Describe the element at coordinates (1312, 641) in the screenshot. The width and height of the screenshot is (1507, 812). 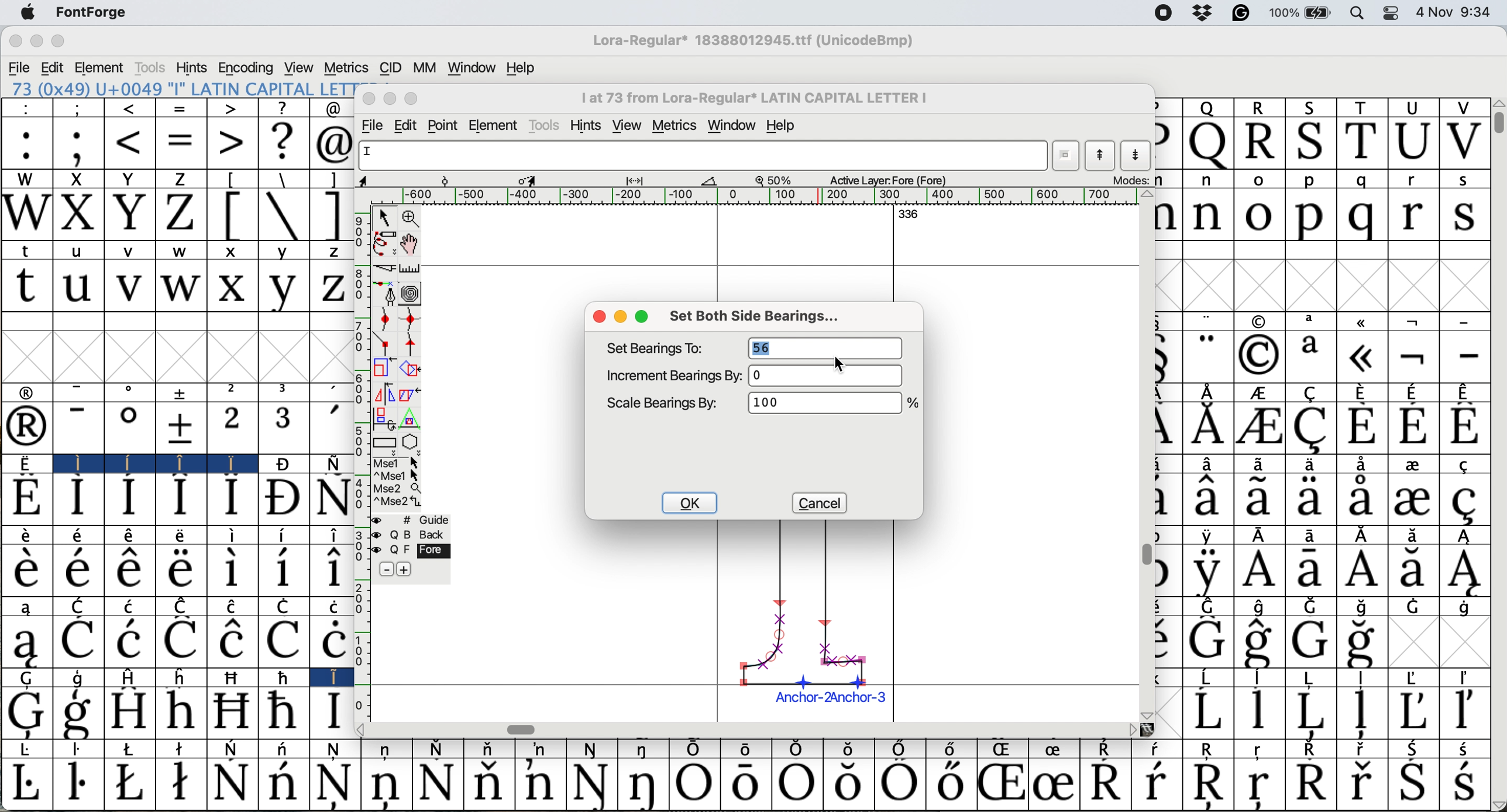
I see `Symbol` at that location.